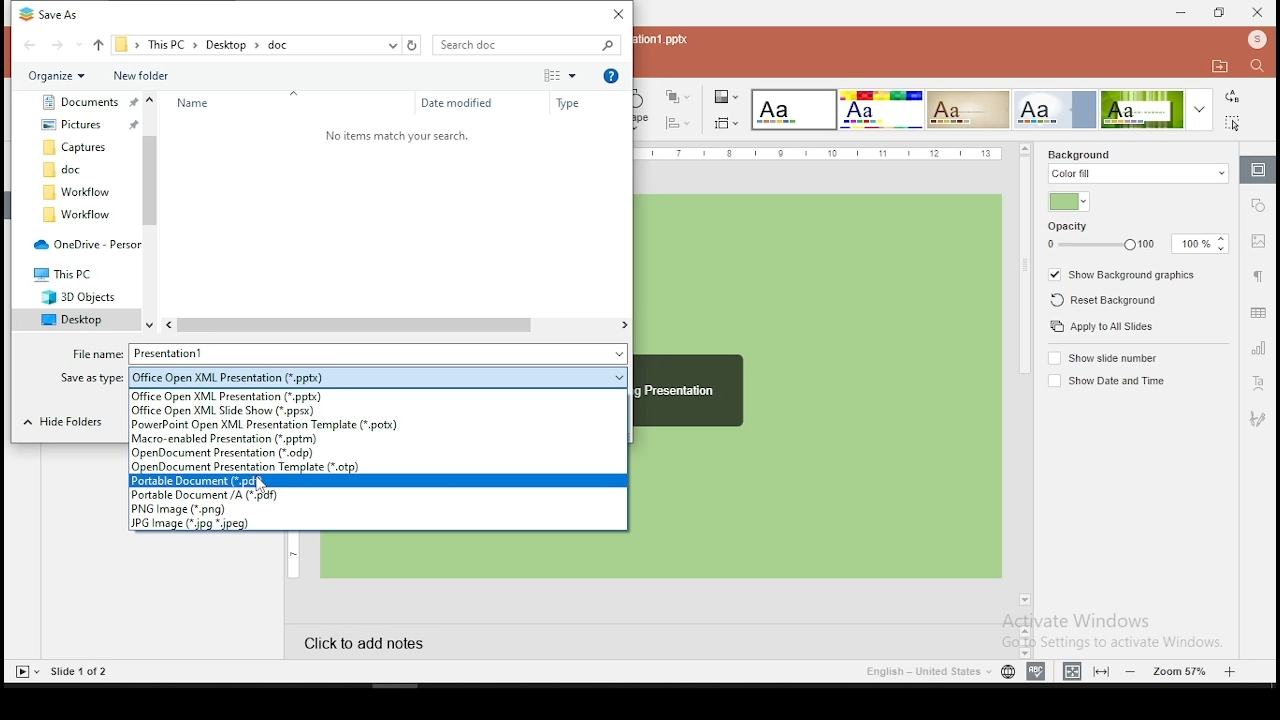 The height and width of the screenshot is (720, 1280). I want to click on open document presentation template, so click(376, 468).